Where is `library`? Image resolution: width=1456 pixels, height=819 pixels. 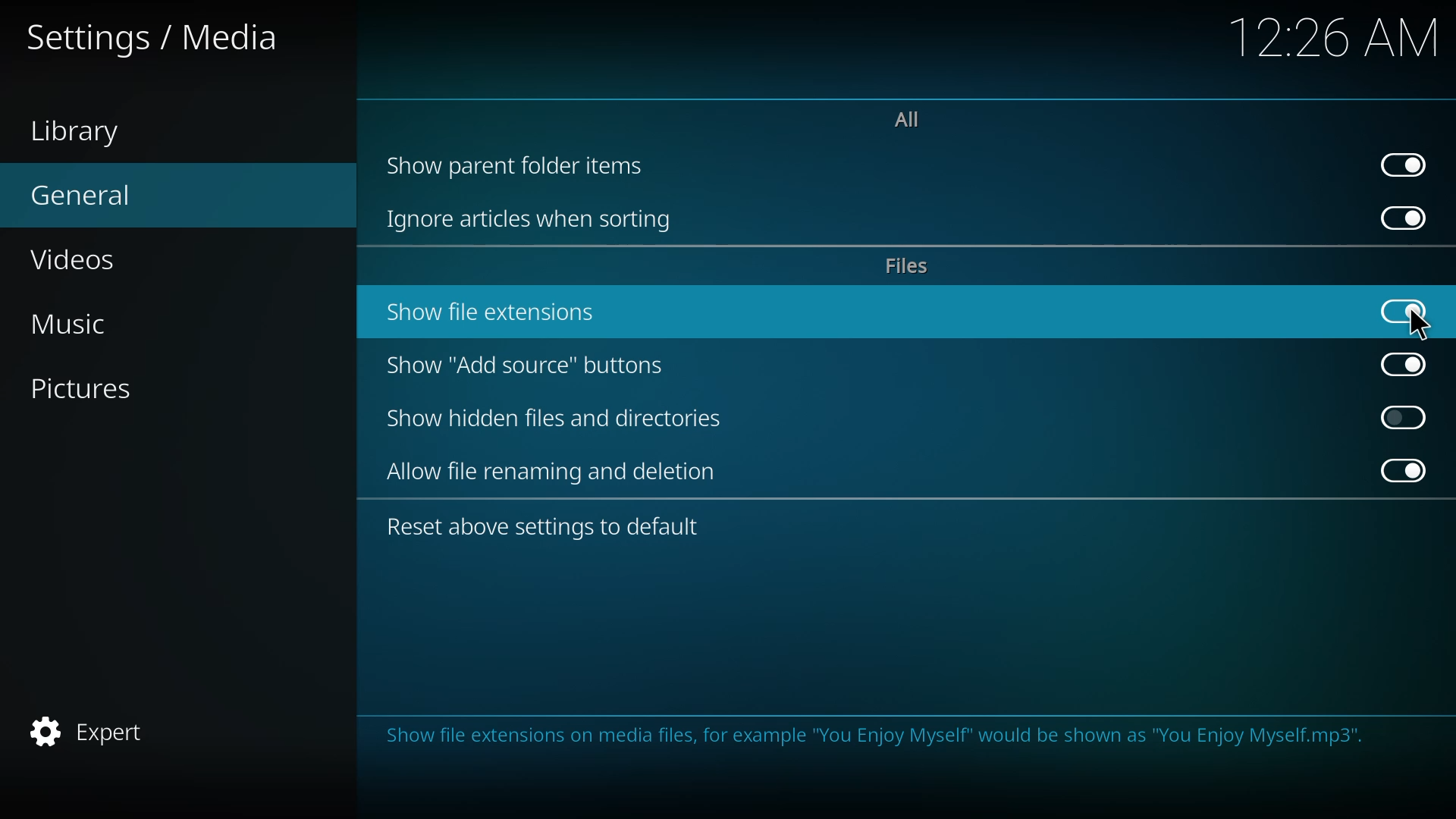
library is located at coordinates (92, 135).